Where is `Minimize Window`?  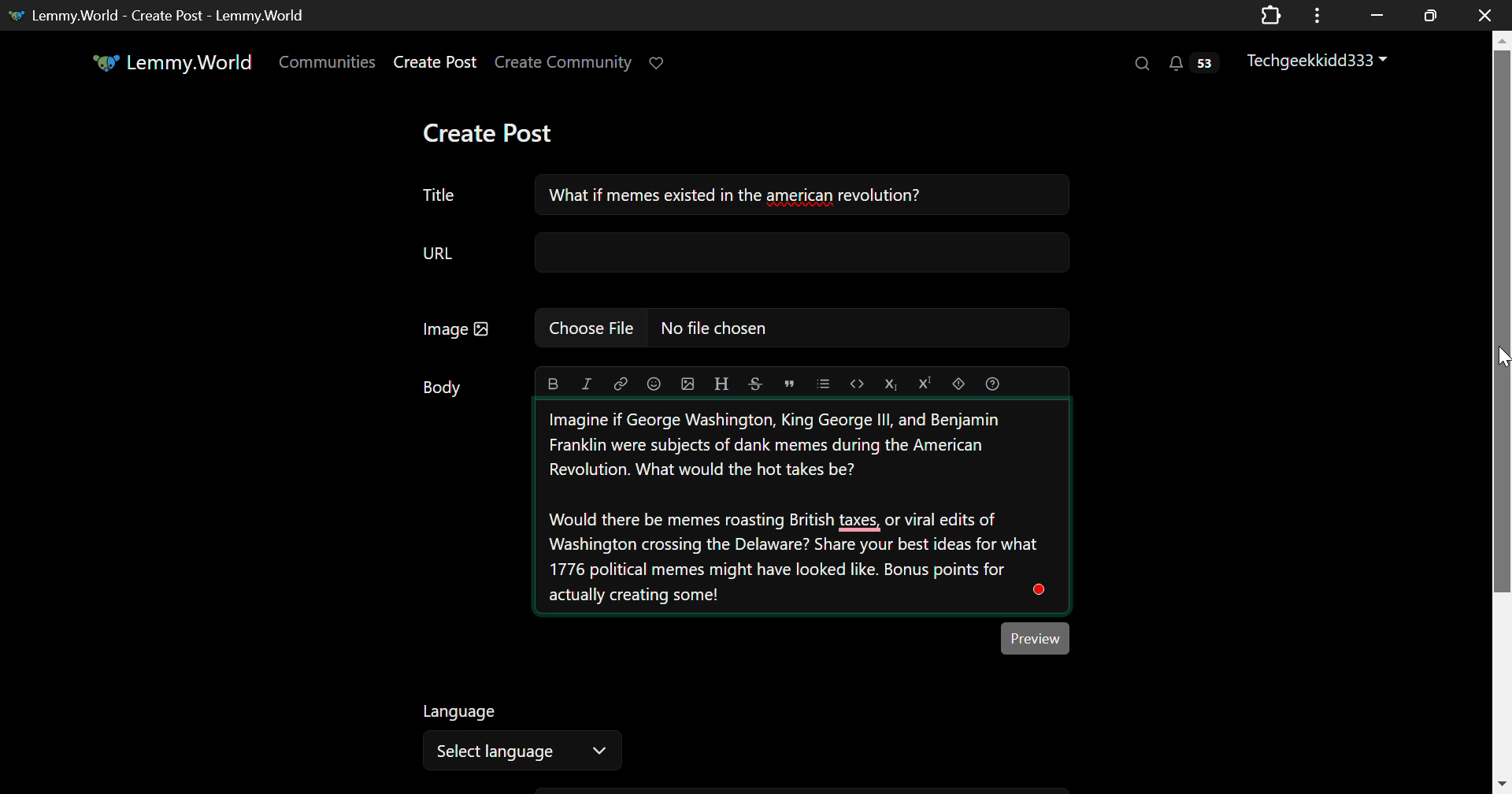 Minimize Window is located at coordinates (1428, 16).